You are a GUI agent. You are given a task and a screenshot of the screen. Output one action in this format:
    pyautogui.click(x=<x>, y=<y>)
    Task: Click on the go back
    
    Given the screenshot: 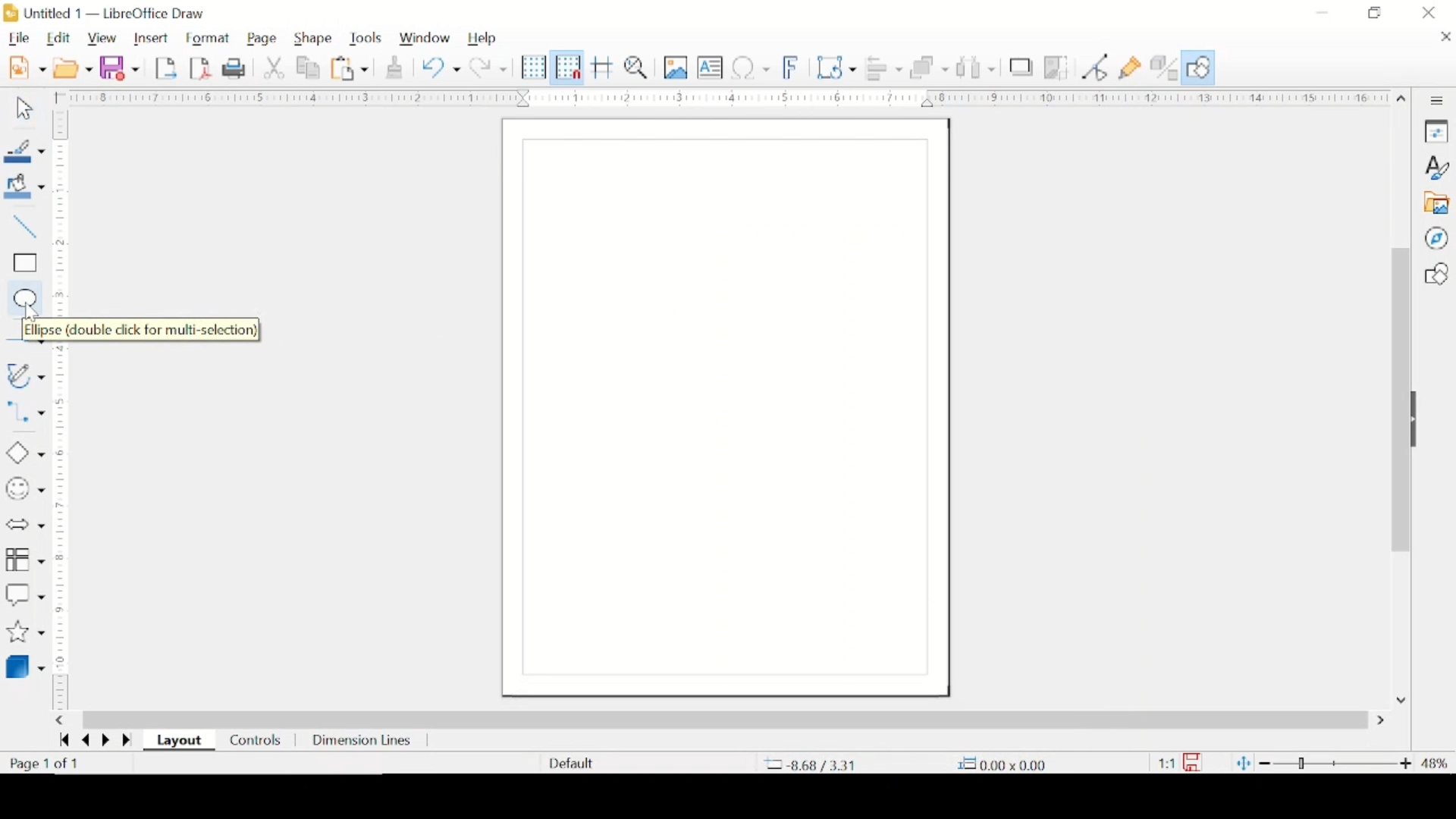 What is the action you would take?
    pyautogui.click(x=82, y=742)
    